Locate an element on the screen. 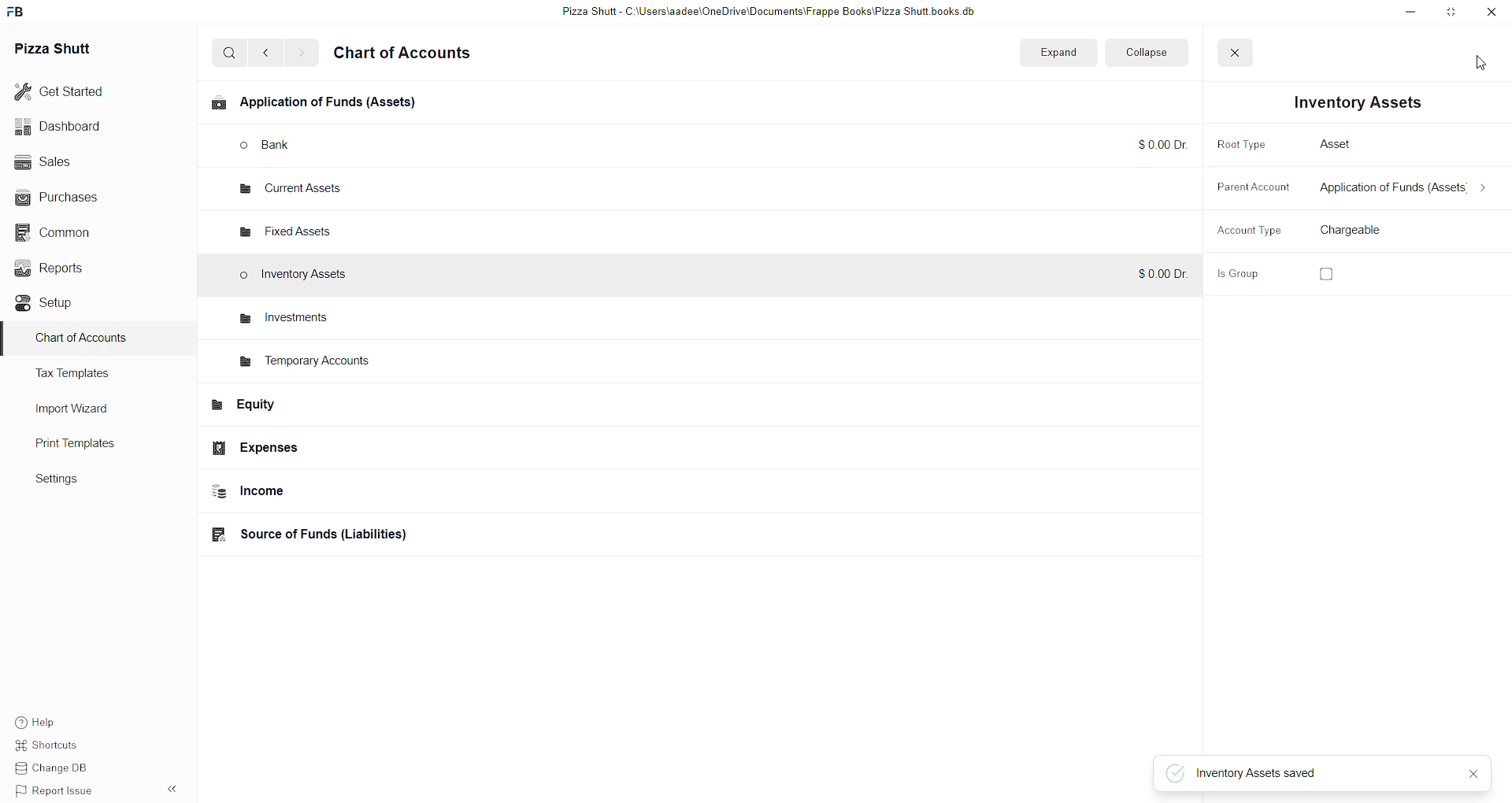 Image resolution: width=1512 pixels, height=803 pixels. expand is located at coordinates (1058, 51).